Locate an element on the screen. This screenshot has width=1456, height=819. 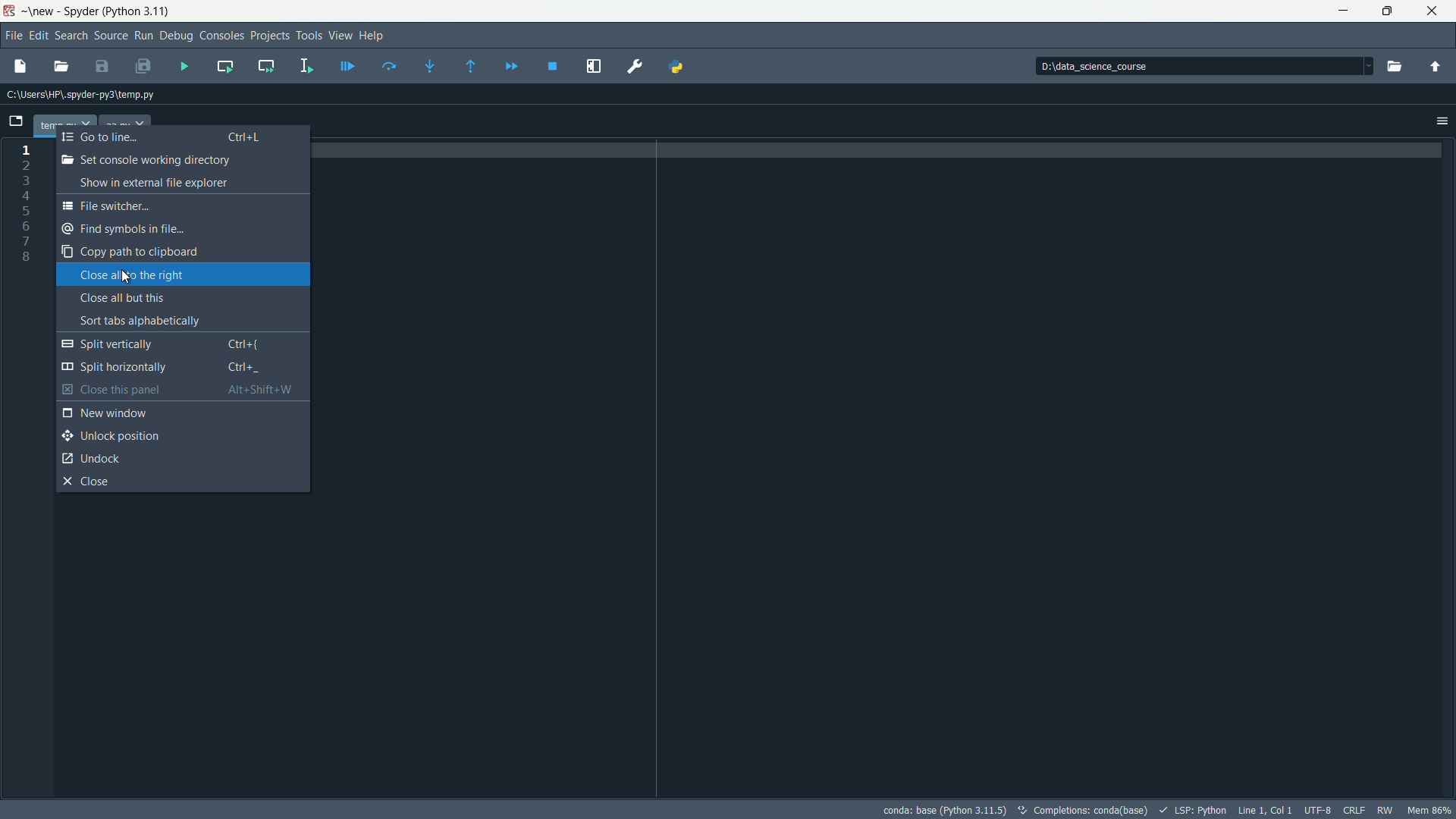
debug file is located at coordinates (347, 67).